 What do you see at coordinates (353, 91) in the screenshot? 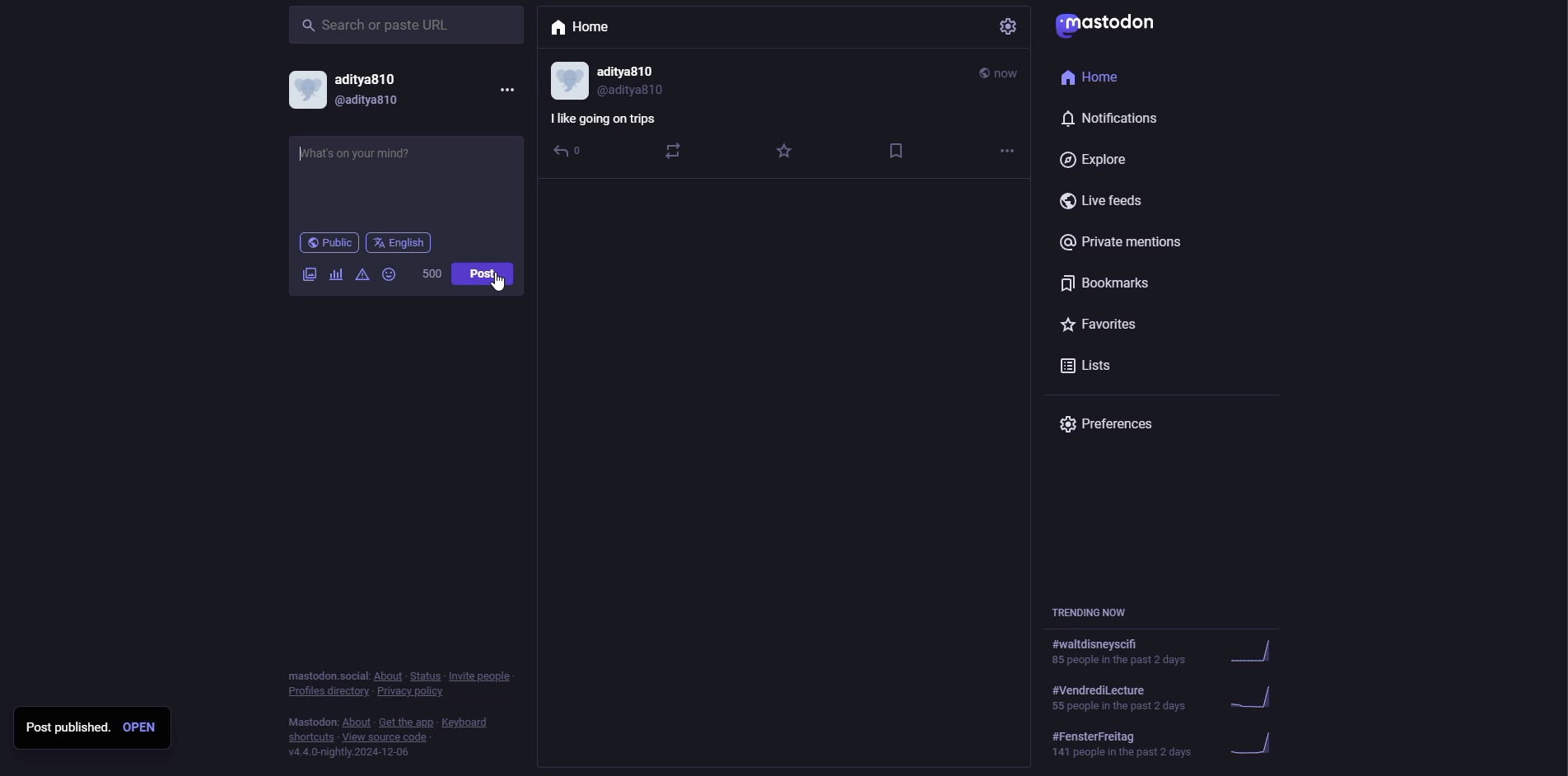
I see `account` at bounding box center [353, 91].